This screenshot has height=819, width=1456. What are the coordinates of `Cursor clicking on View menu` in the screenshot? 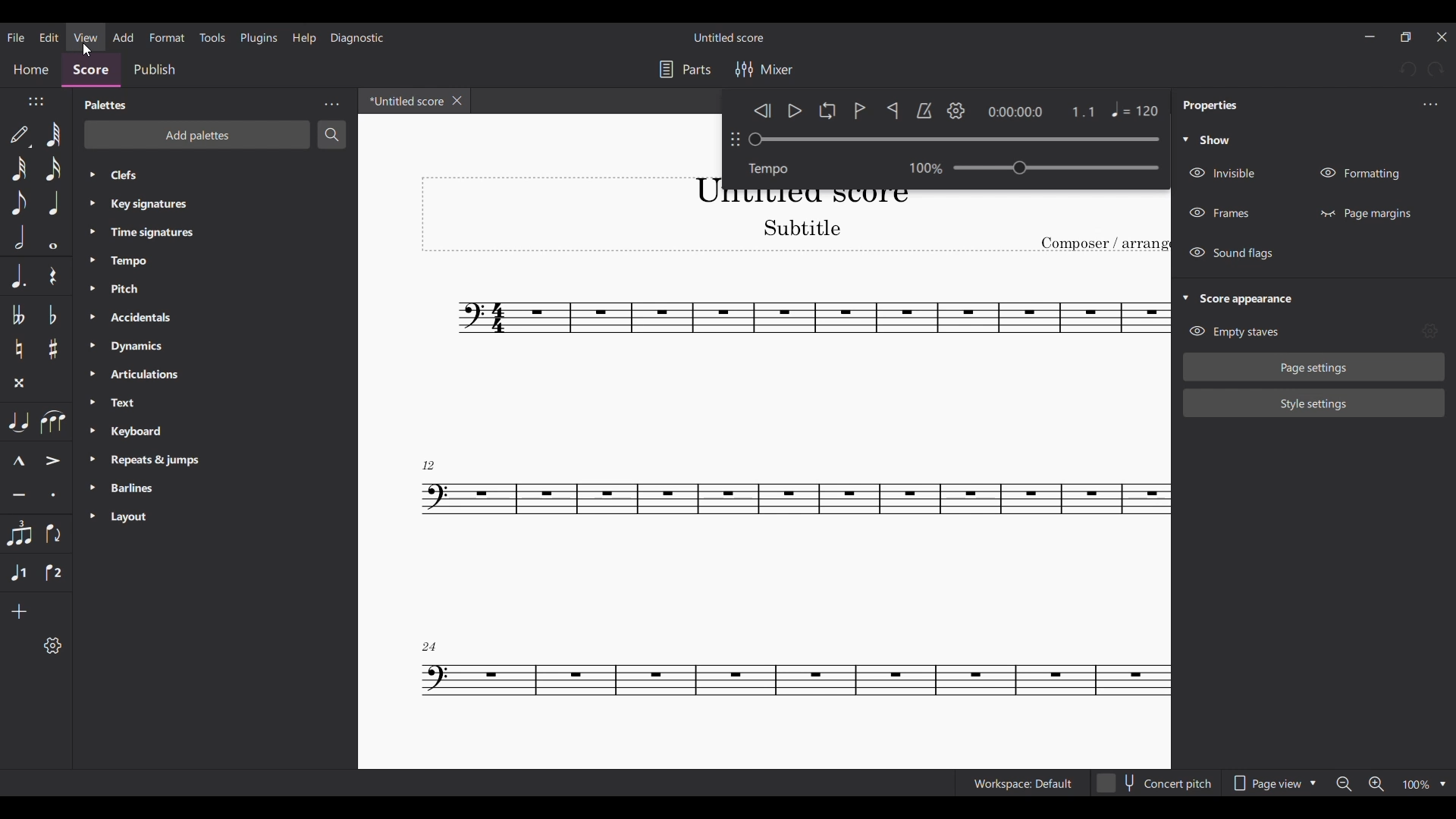 It's located at (89, 50).